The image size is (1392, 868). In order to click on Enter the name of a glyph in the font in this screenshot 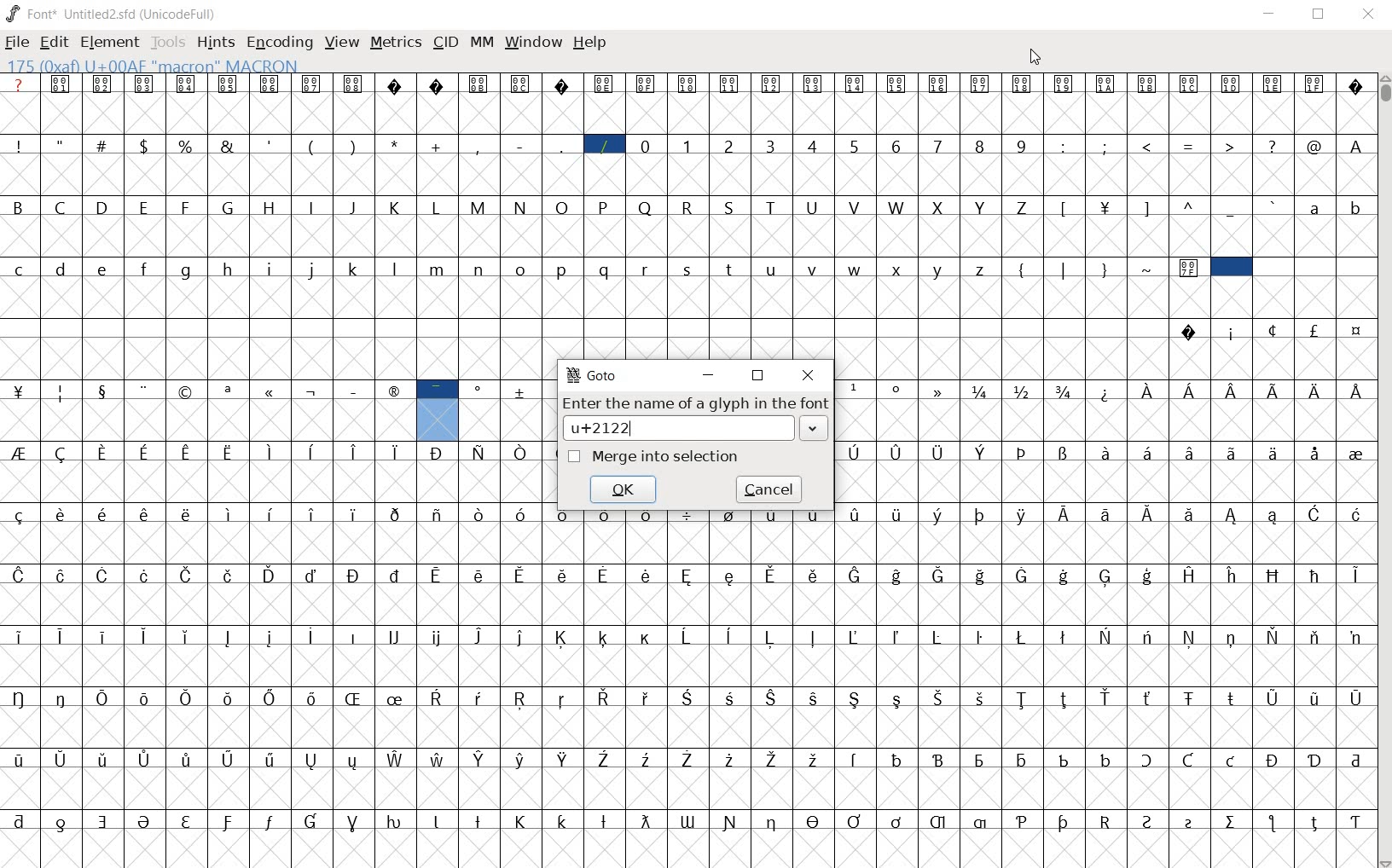, I will do `click(692, 420)`.